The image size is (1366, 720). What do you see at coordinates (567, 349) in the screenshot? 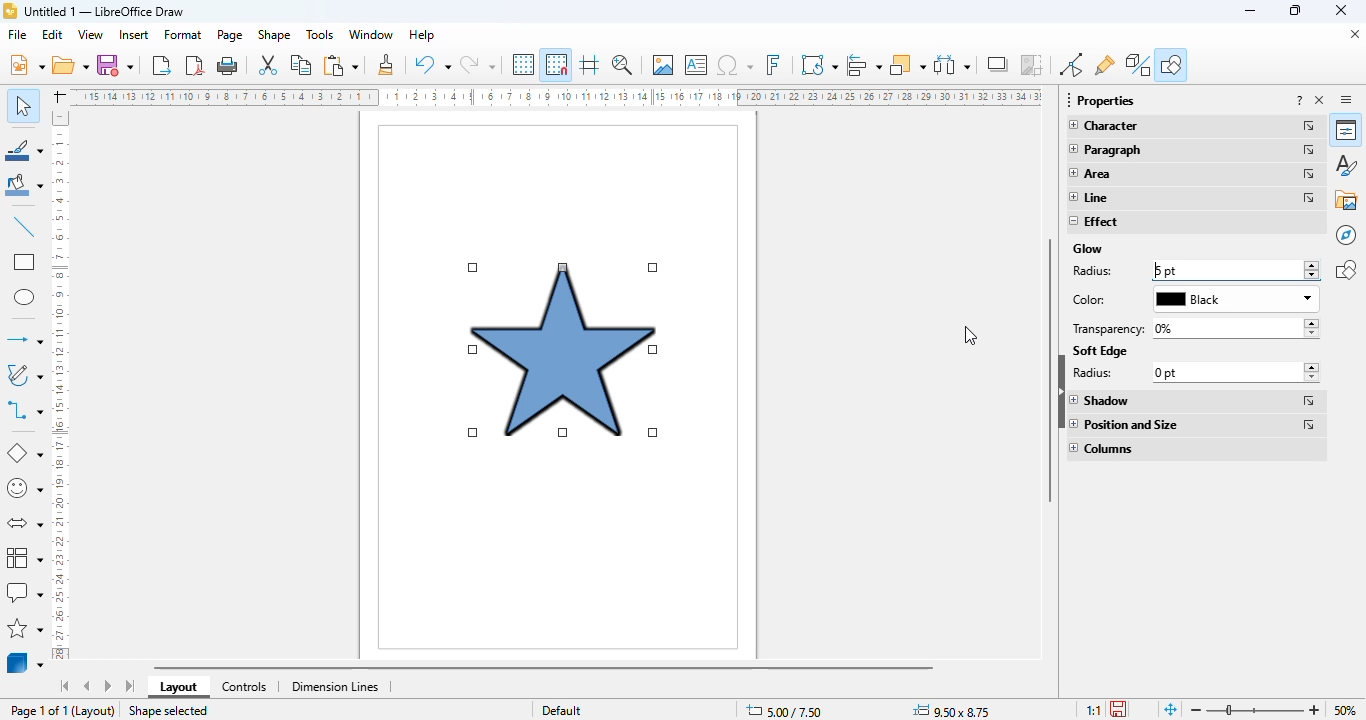
I see `glow effect added to star shape` at bounding box center [567, 349].